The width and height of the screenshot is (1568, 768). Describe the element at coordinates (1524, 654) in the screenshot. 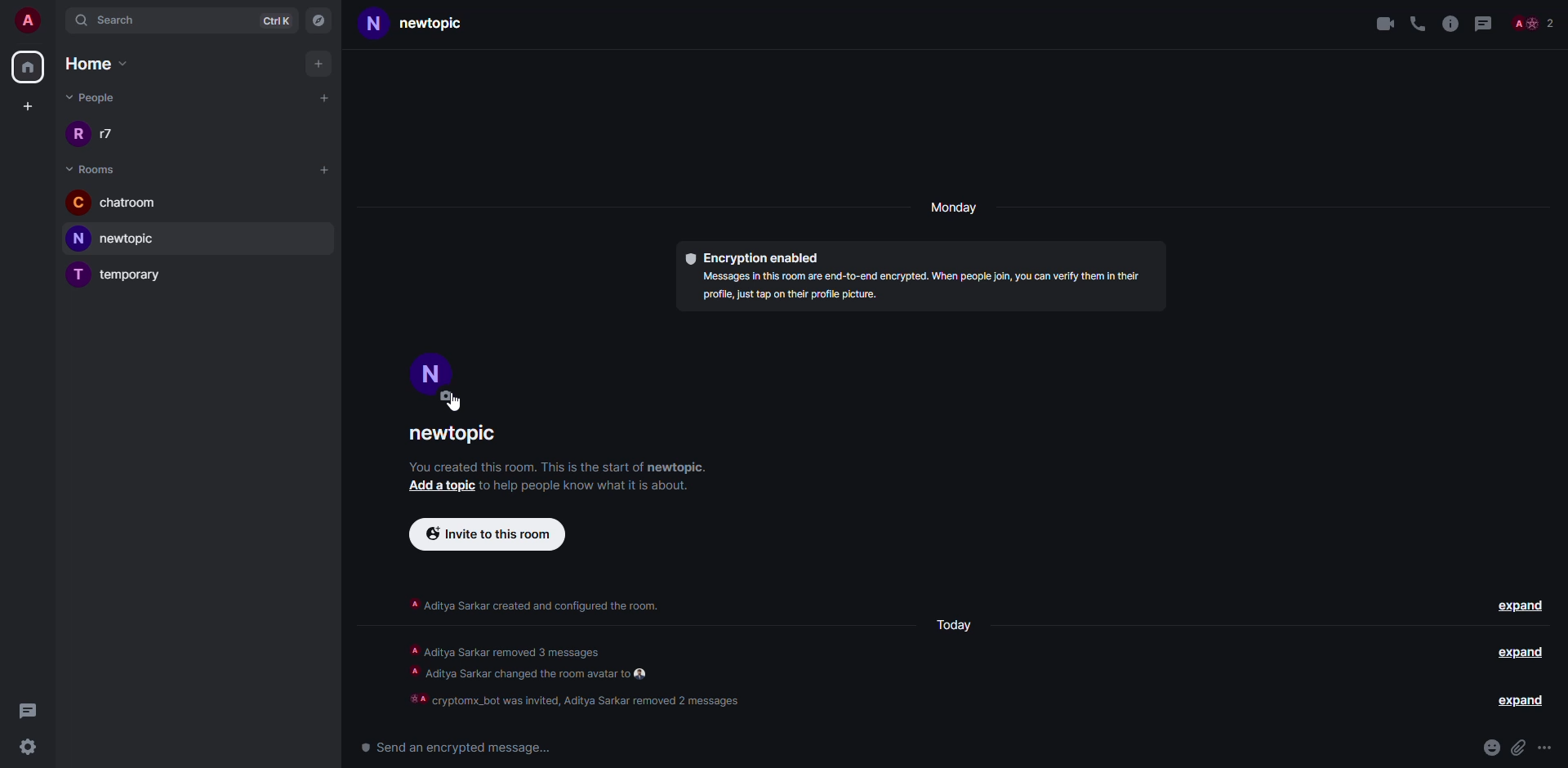

I see `expand` at that location.